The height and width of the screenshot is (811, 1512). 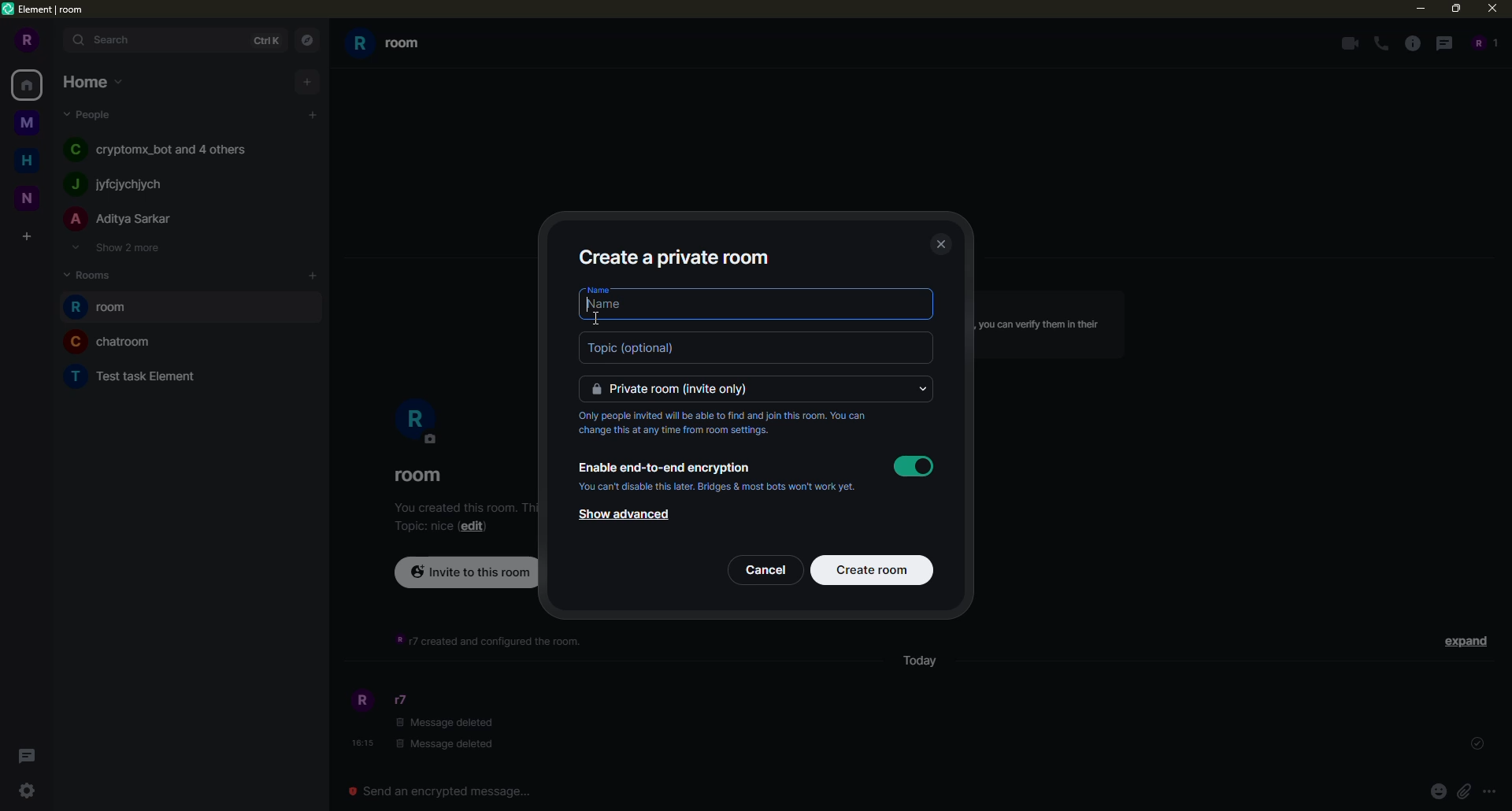 I want to click on create room, so click(x=873, y=570).